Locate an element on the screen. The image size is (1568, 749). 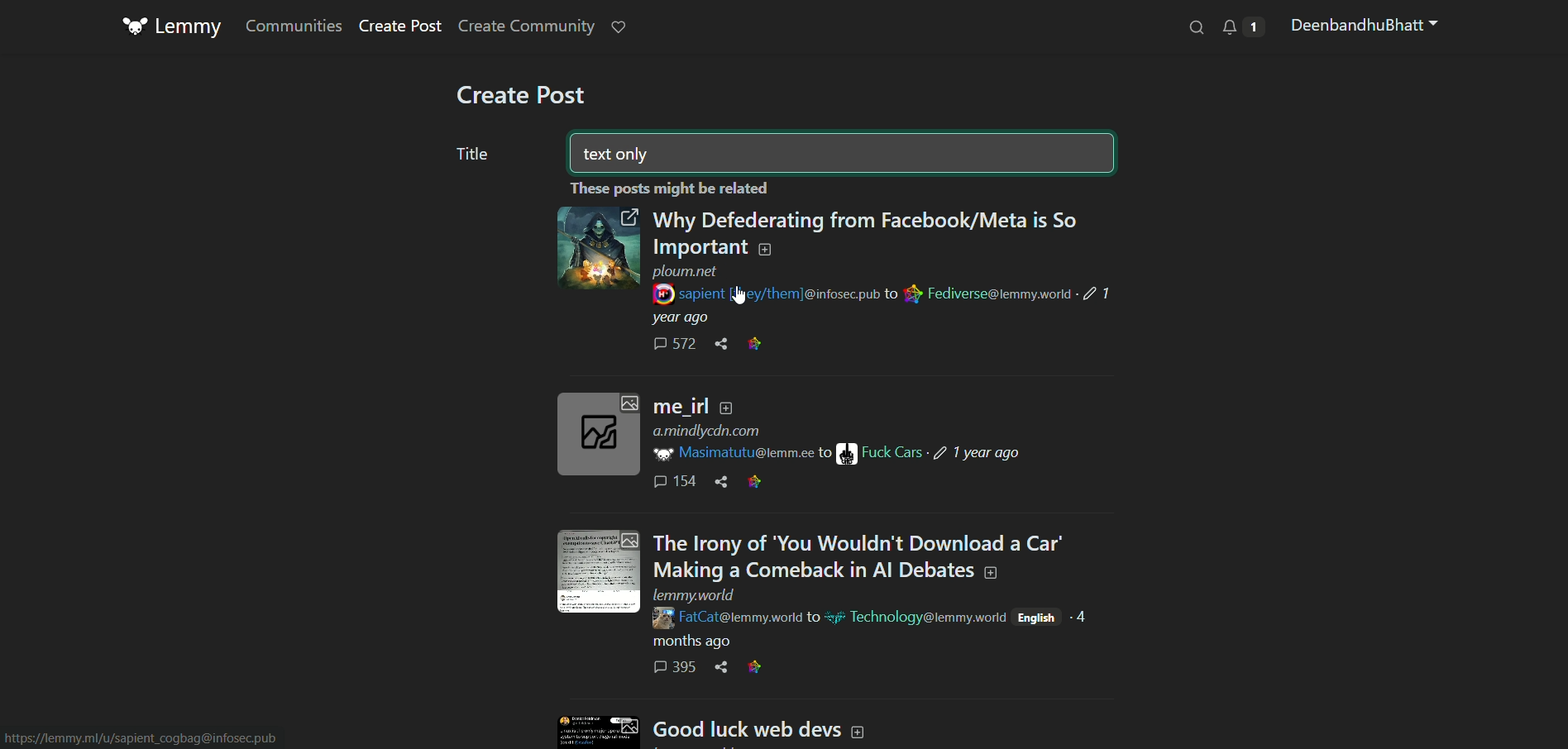
Share is located at coordinates (721, 343).